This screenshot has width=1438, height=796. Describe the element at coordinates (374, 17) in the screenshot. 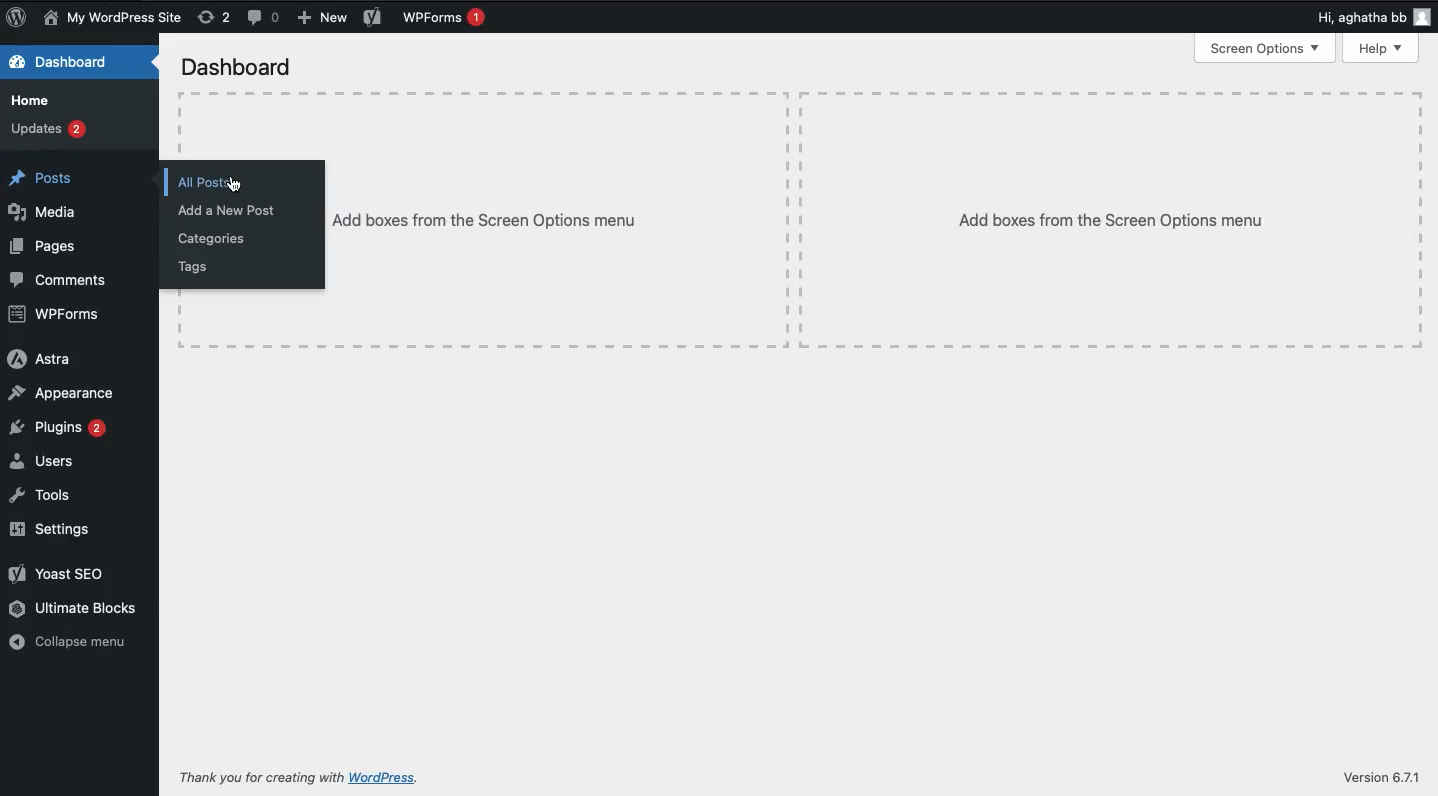

I see `Yoast` at that location.